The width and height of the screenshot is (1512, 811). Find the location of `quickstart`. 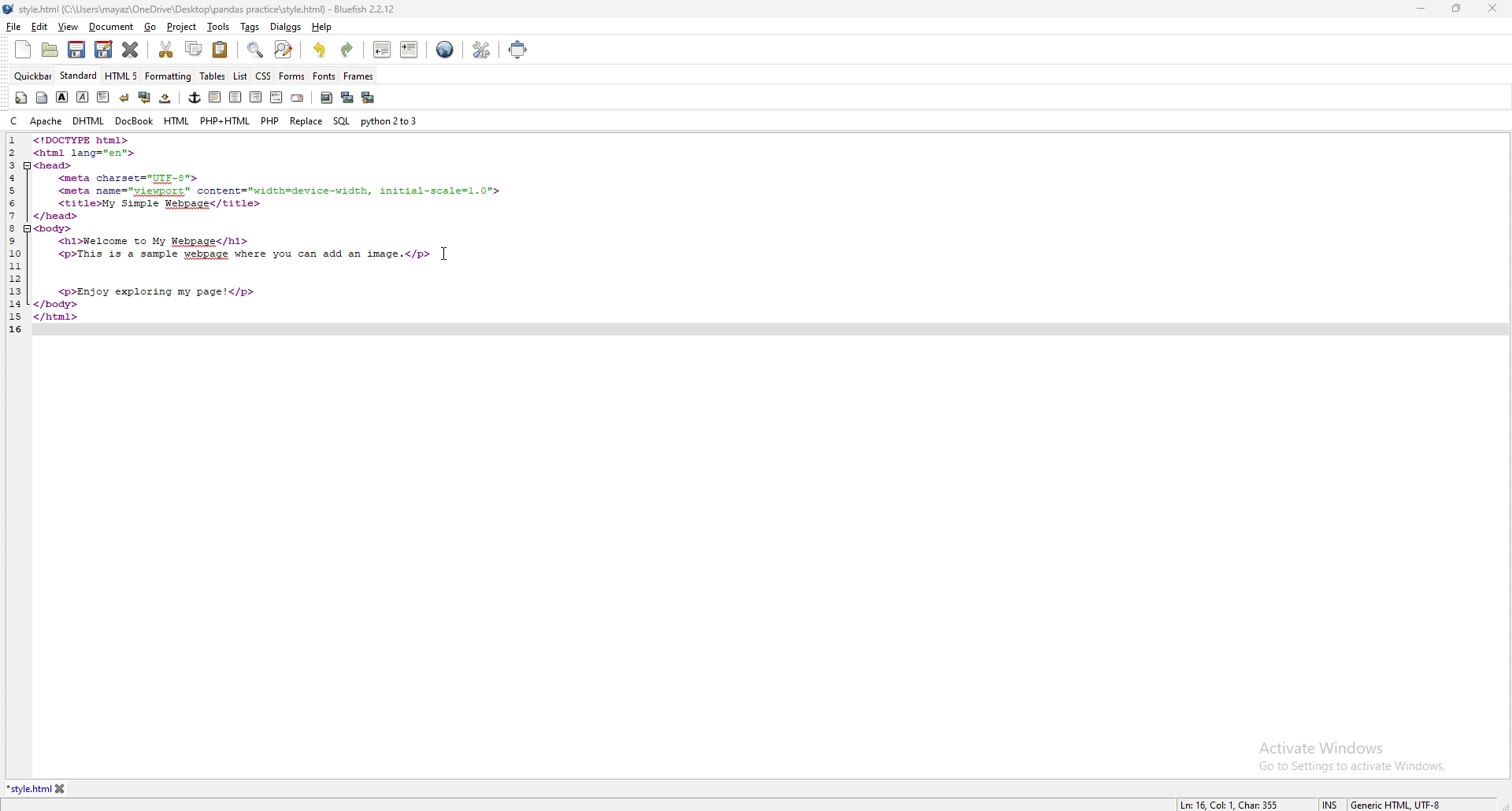

quickstart is located at coordinates (20, 98).